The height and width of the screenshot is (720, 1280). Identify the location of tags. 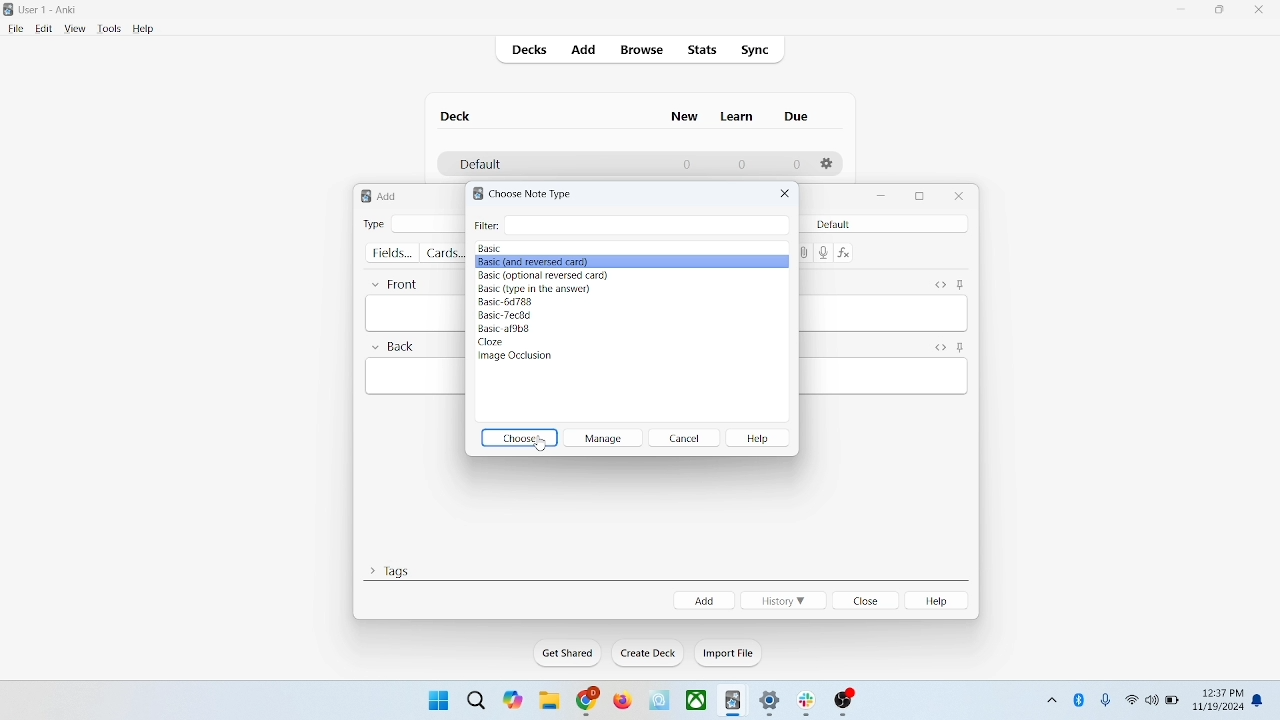
(389, 569).